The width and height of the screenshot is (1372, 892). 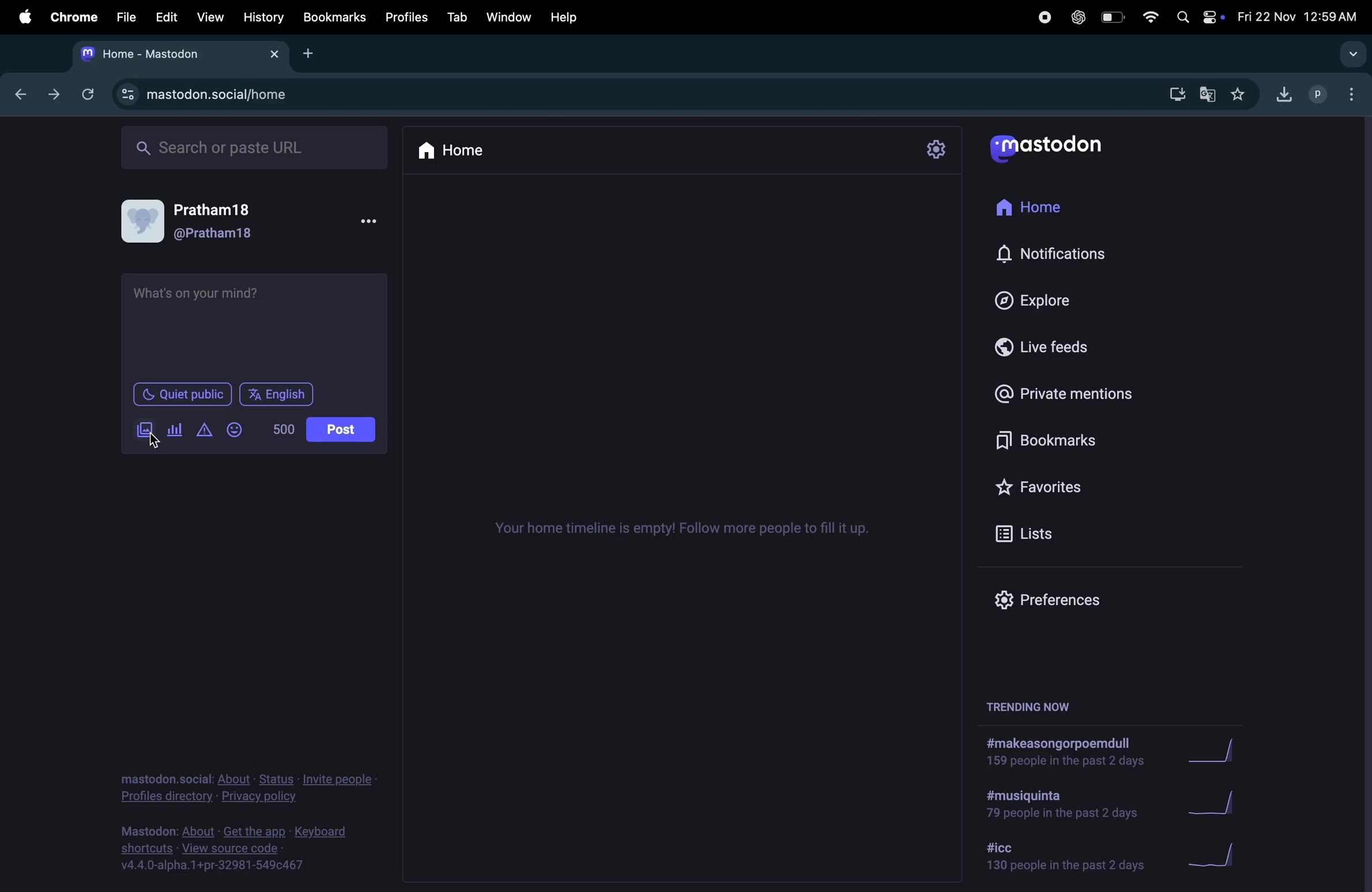 I want to click on window, so click(x=509, y=18).